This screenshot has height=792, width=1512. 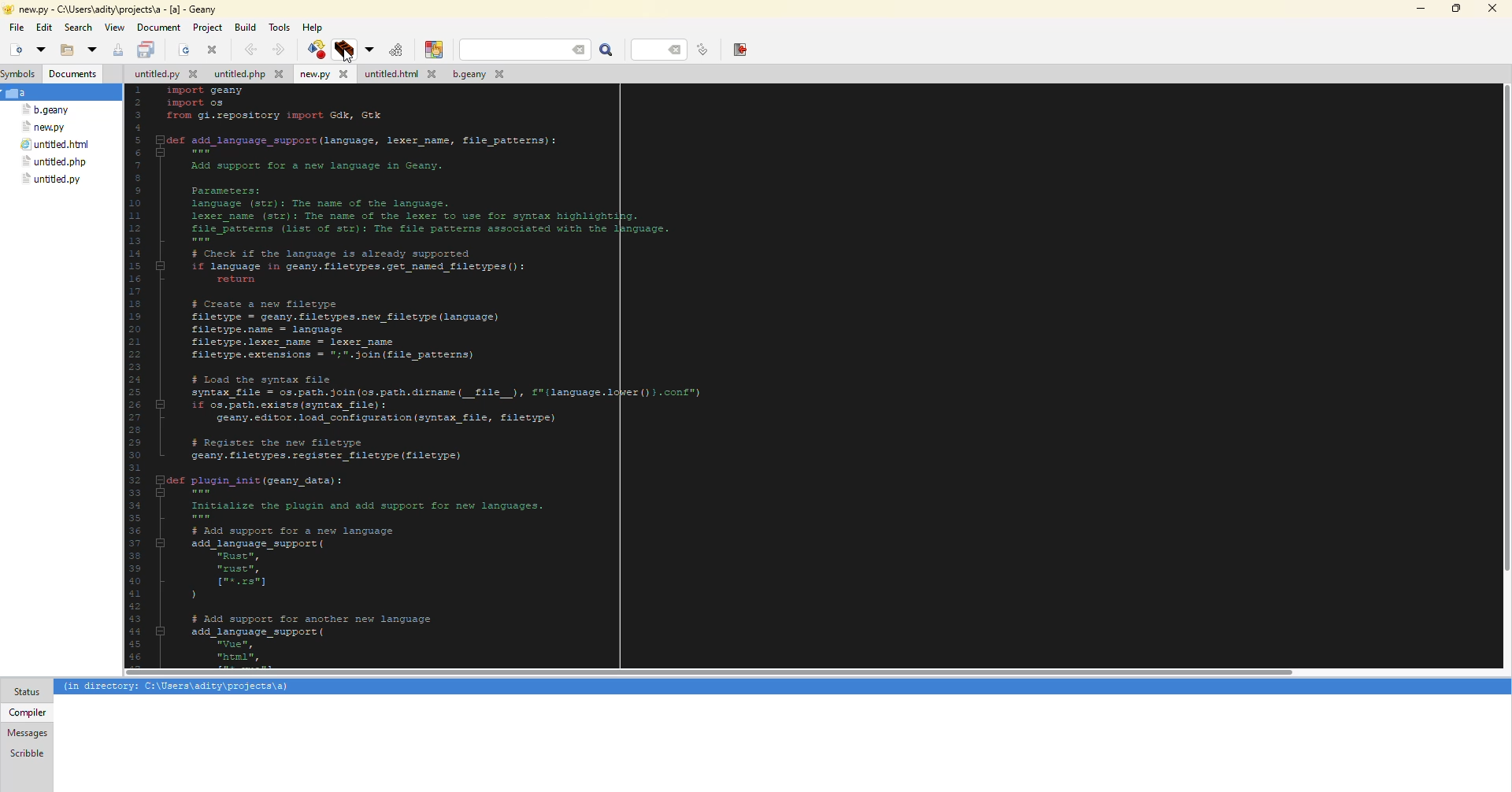 What do you see at coordinates (116, 51) in the screenshot?
I see `save` at bounding box center [116, 51].